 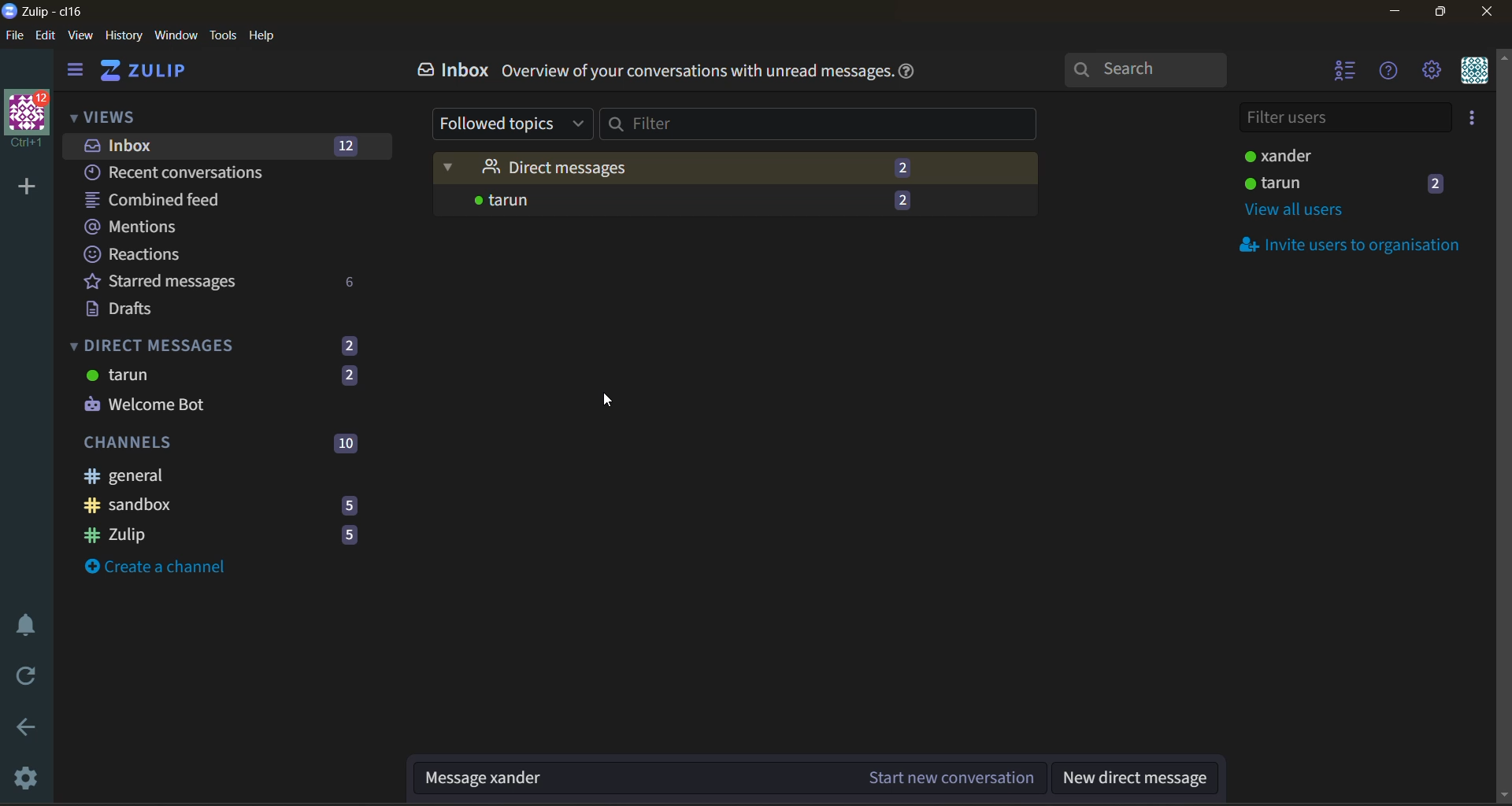 I want to click on user, so click(x=1351, y=184).